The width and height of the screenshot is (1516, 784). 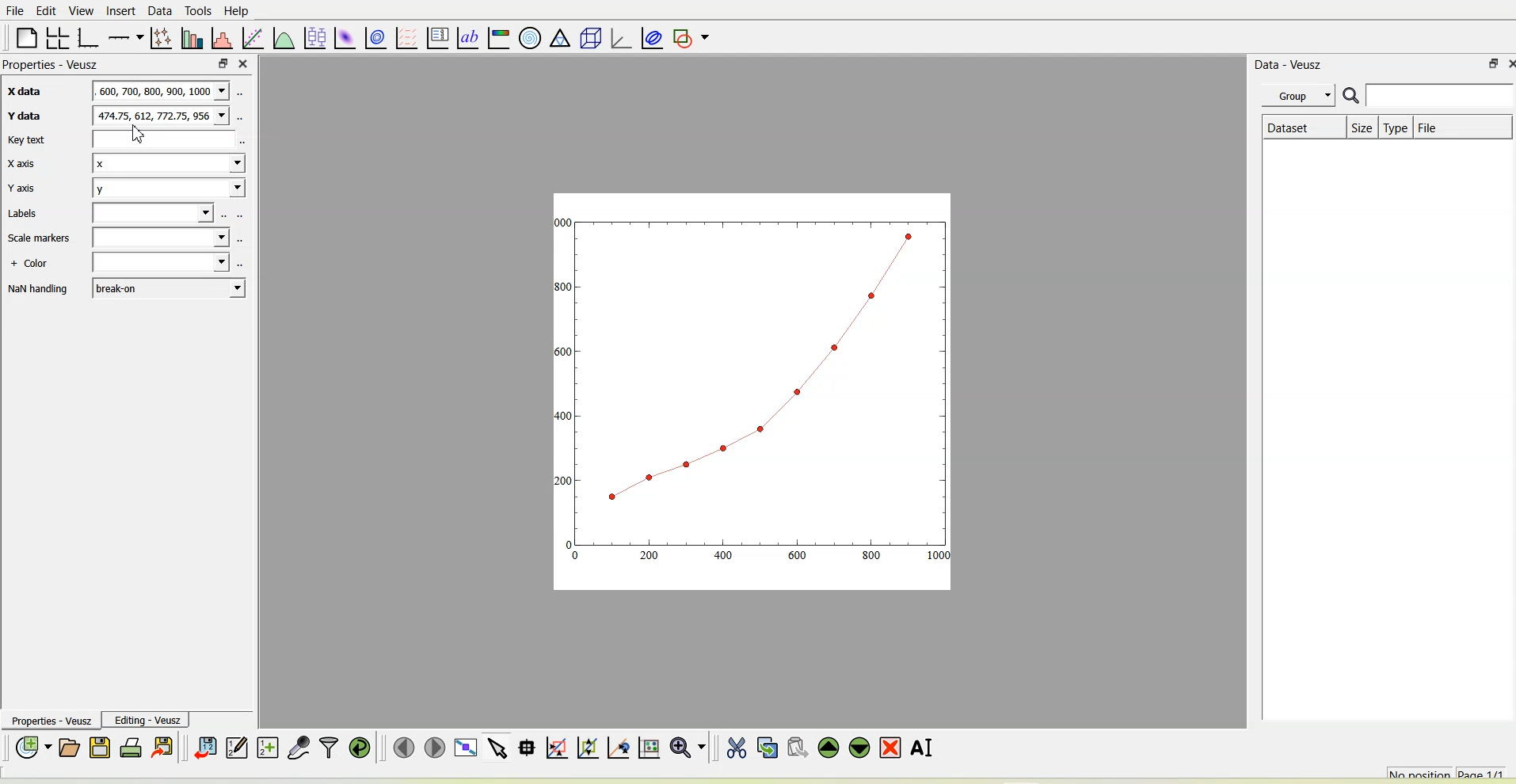 I want to click on Import data into Veusz, so click(x=205, y=748).